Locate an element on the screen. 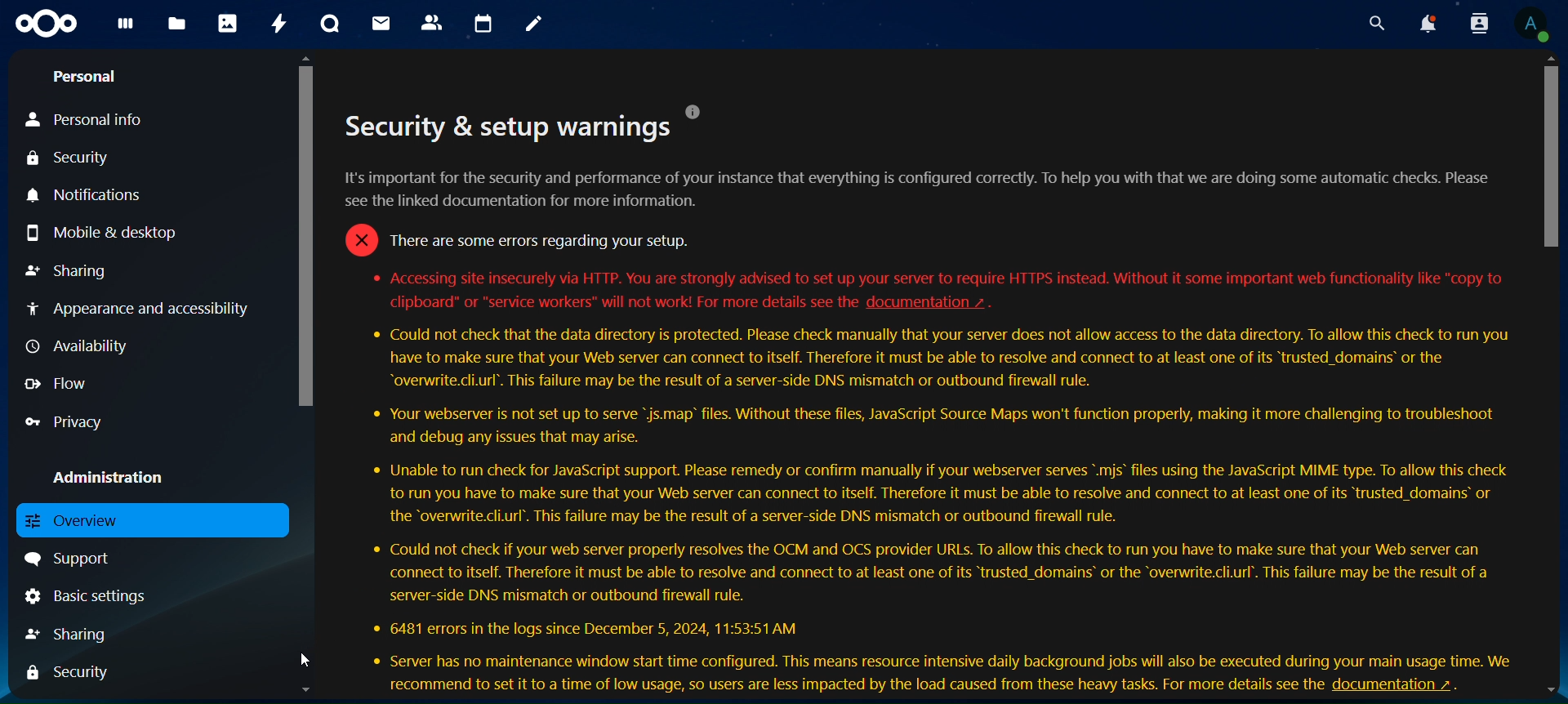 The height and width of the screenshot is (704, 1568). search contacts is located at coordinates (1474, 23).